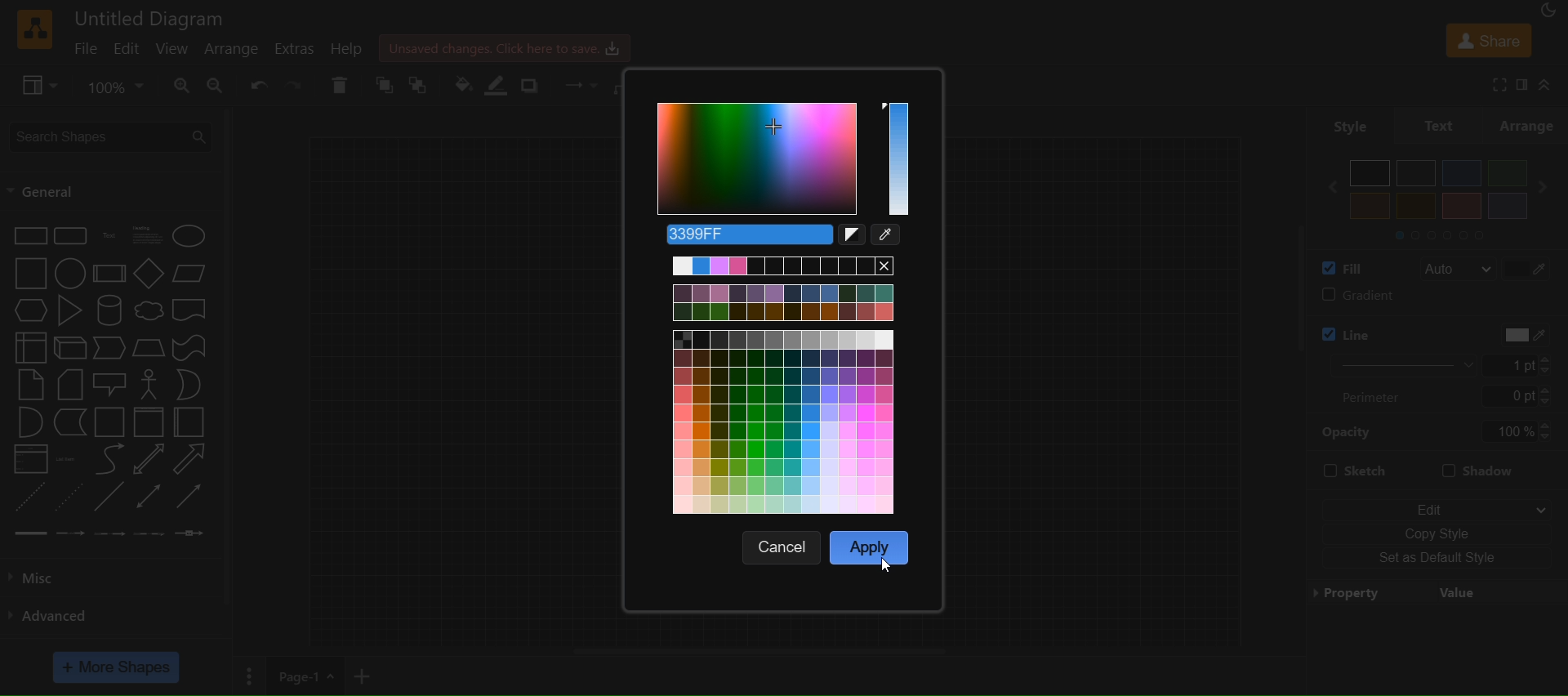 The height and width of the screenshot is (696, 1568). Describe the element at coordinates (1518, 397) in the screenshot. I see `0 pt` at that location.